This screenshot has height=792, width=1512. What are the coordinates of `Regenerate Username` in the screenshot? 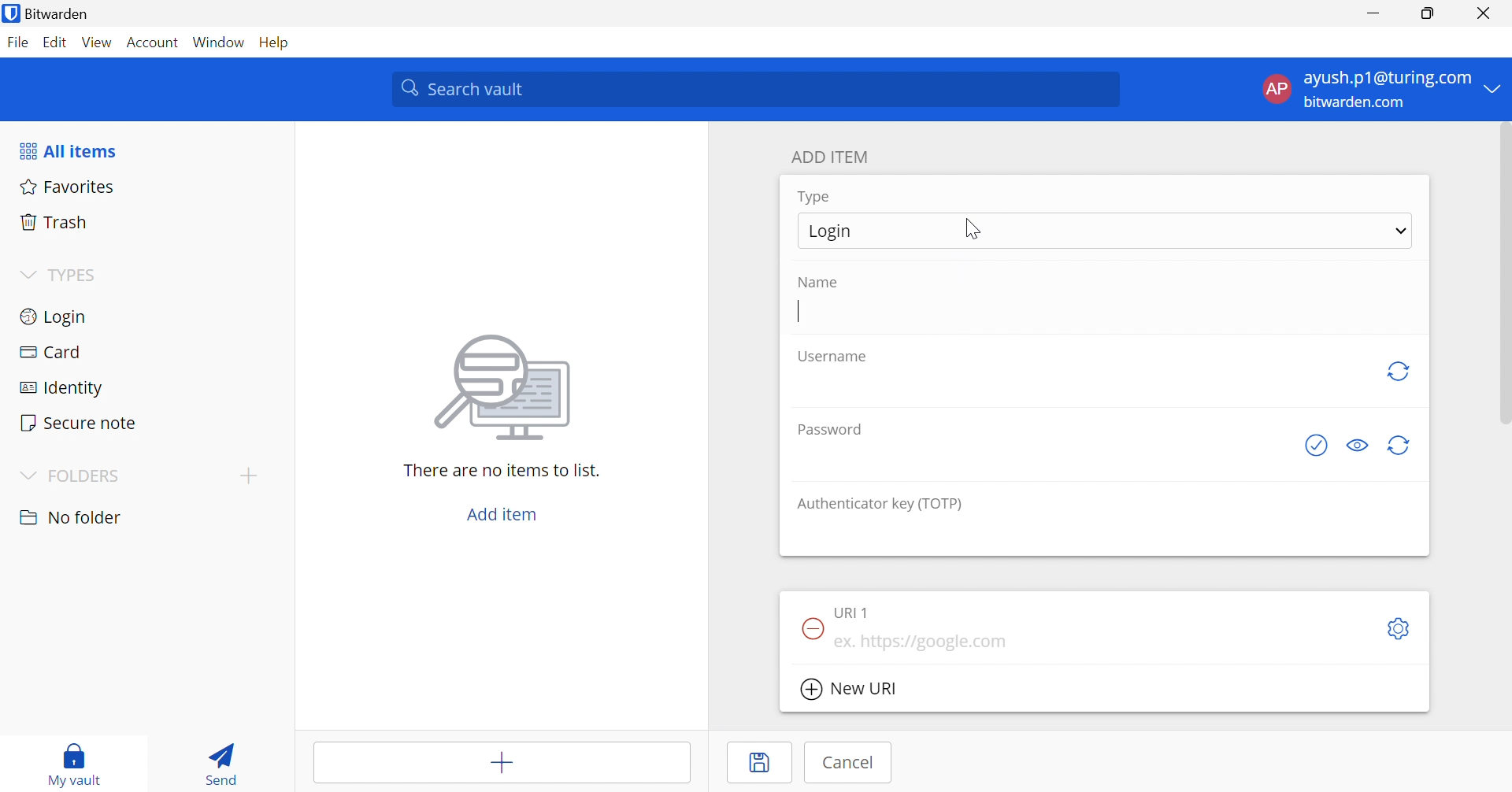 It's located at (1399, 372).